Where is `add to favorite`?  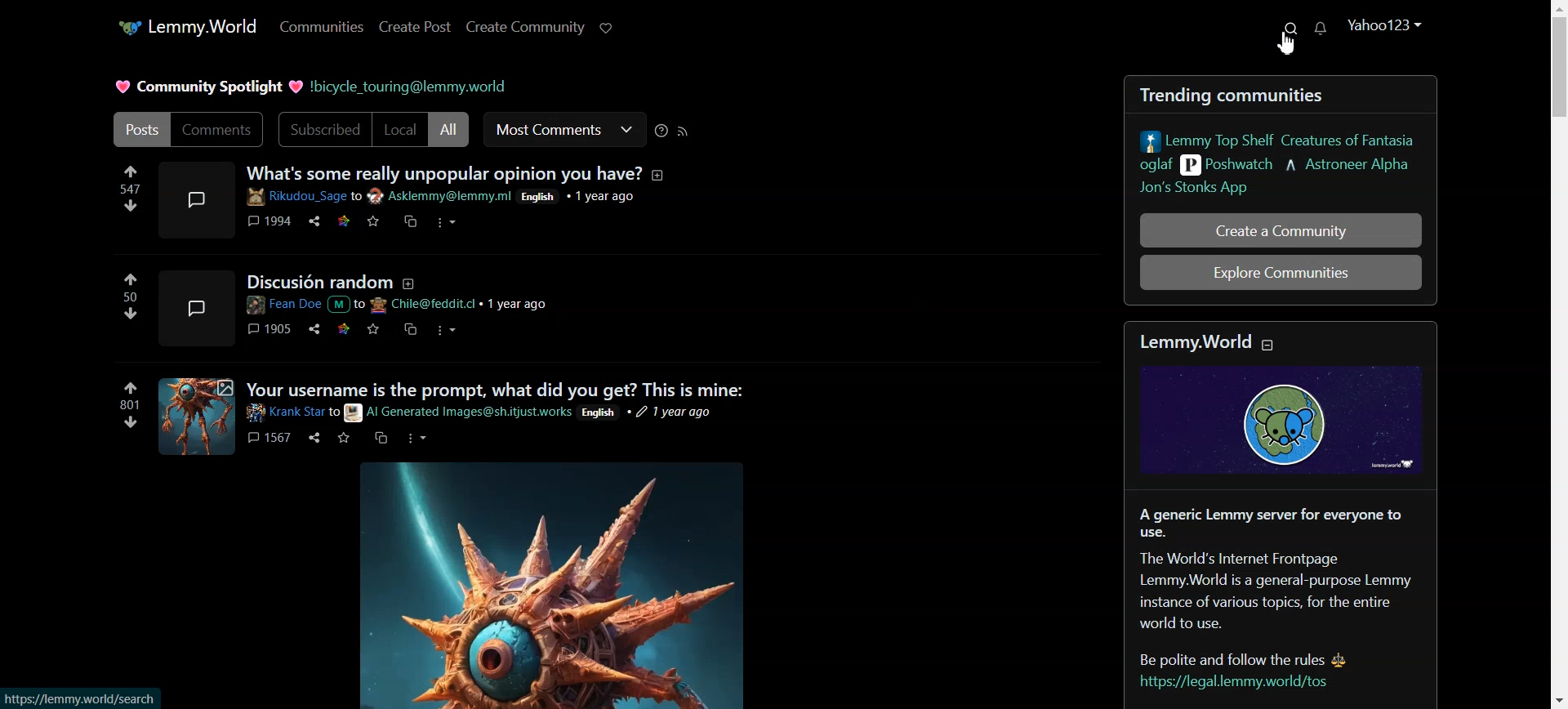 add to favorite is located at coordinates (376, 222).